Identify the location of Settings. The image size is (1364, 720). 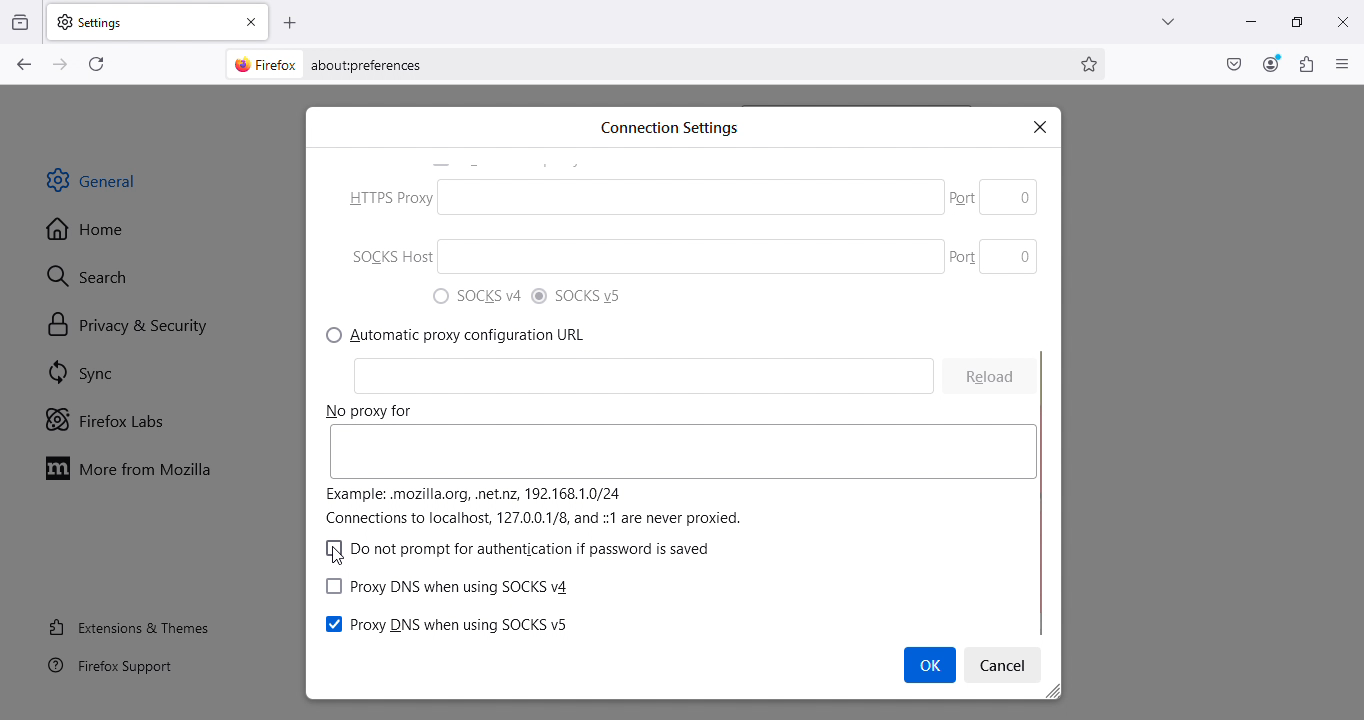
(1006, 664).